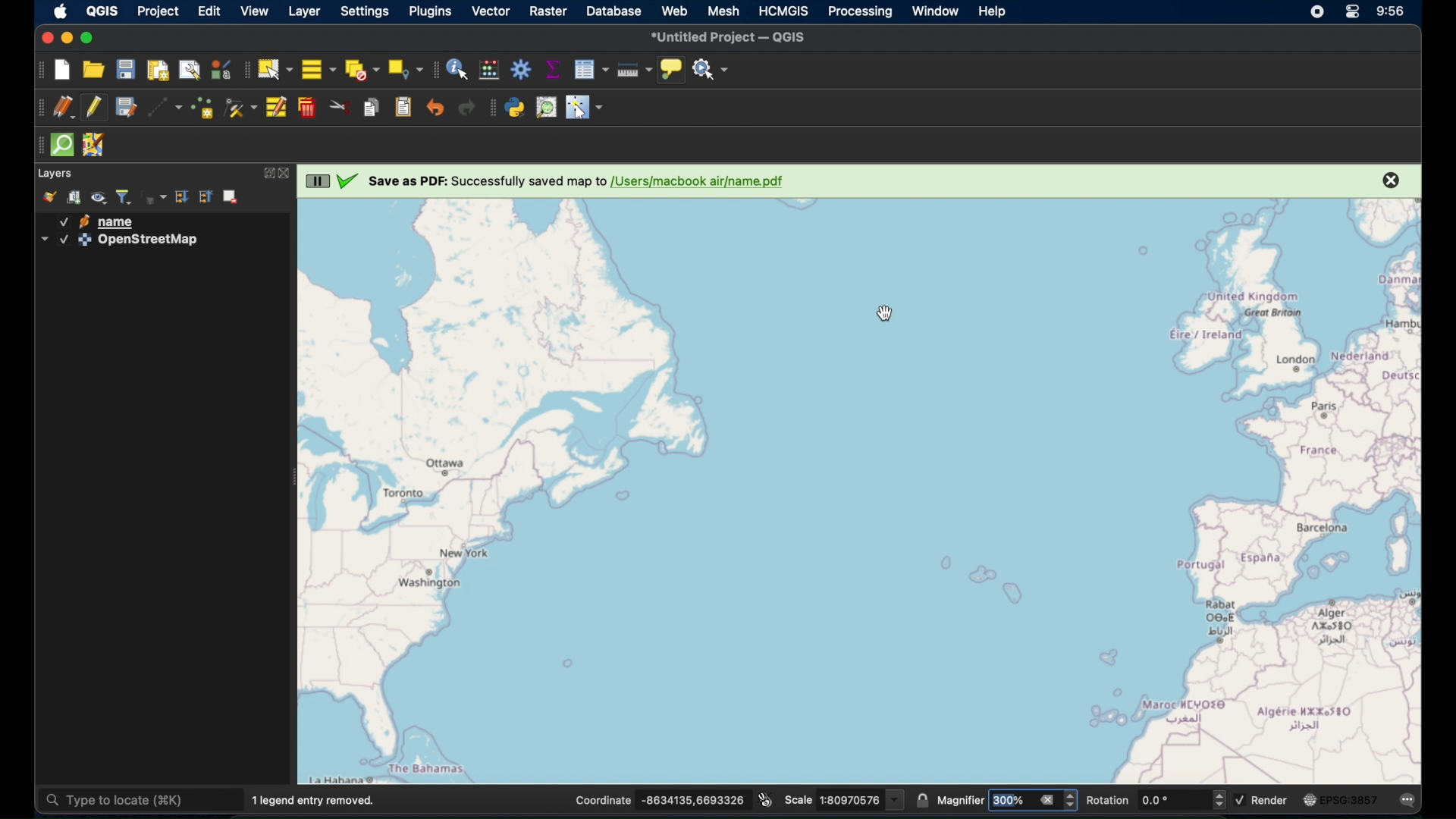 Image resolution: width=1456 pixels, height=819 pixels. Describe the element at coordinates (934, 11) in the screenshot. I see `window` at that location.